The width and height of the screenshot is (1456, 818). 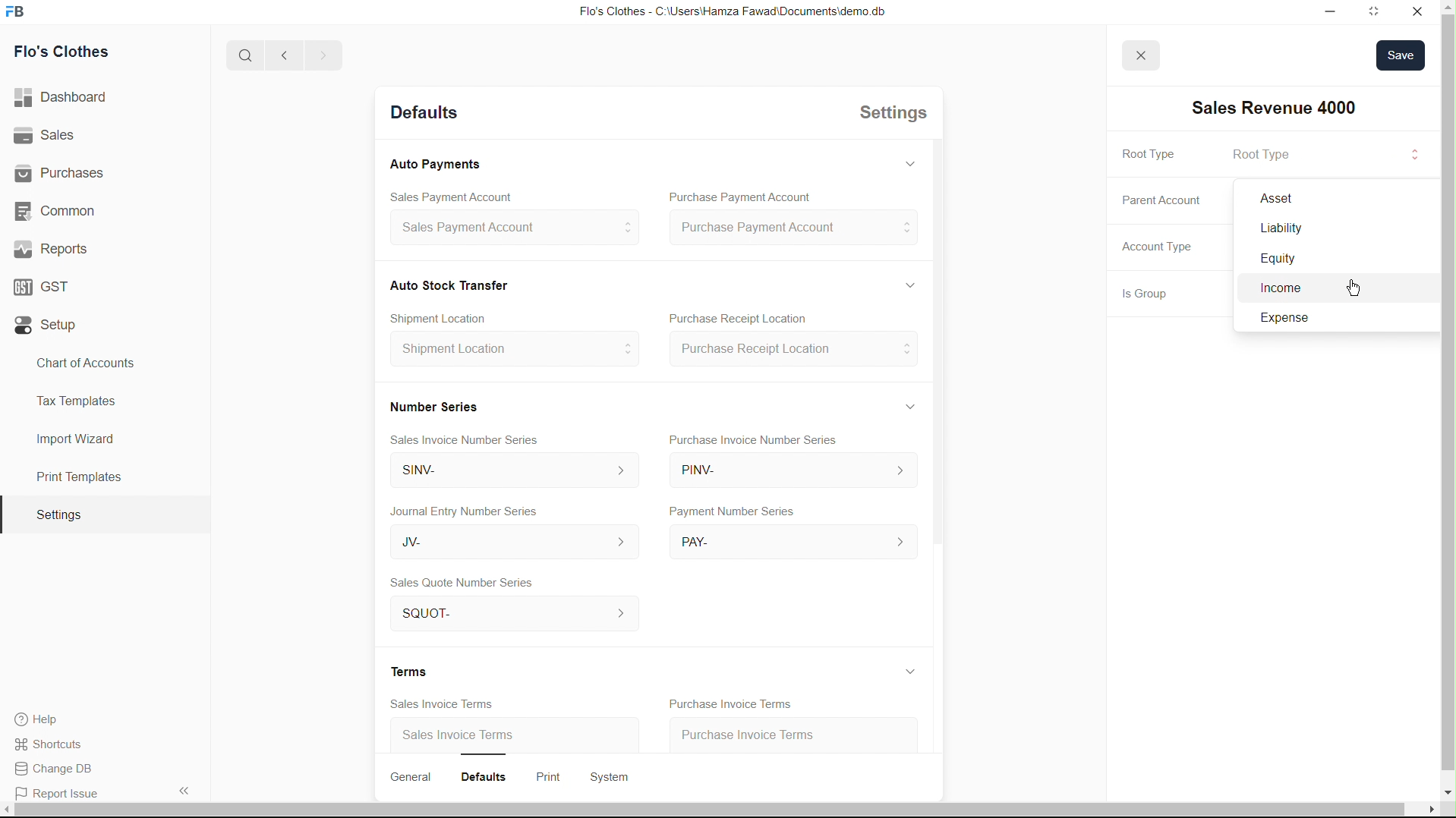 I want to click on Root Type, so click(x=1267, y=154).